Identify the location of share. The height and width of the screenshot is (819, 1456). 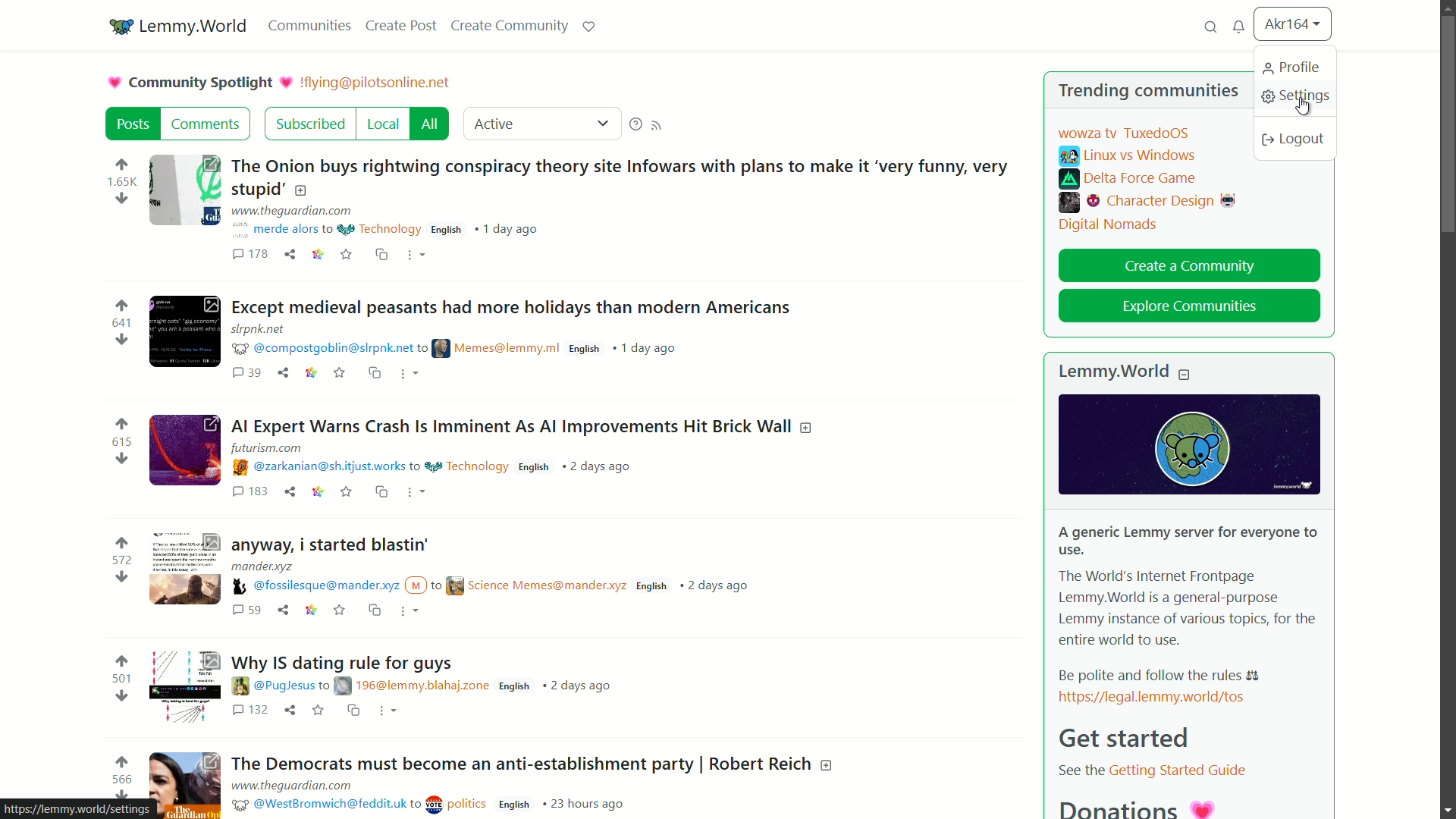
(289, 252).